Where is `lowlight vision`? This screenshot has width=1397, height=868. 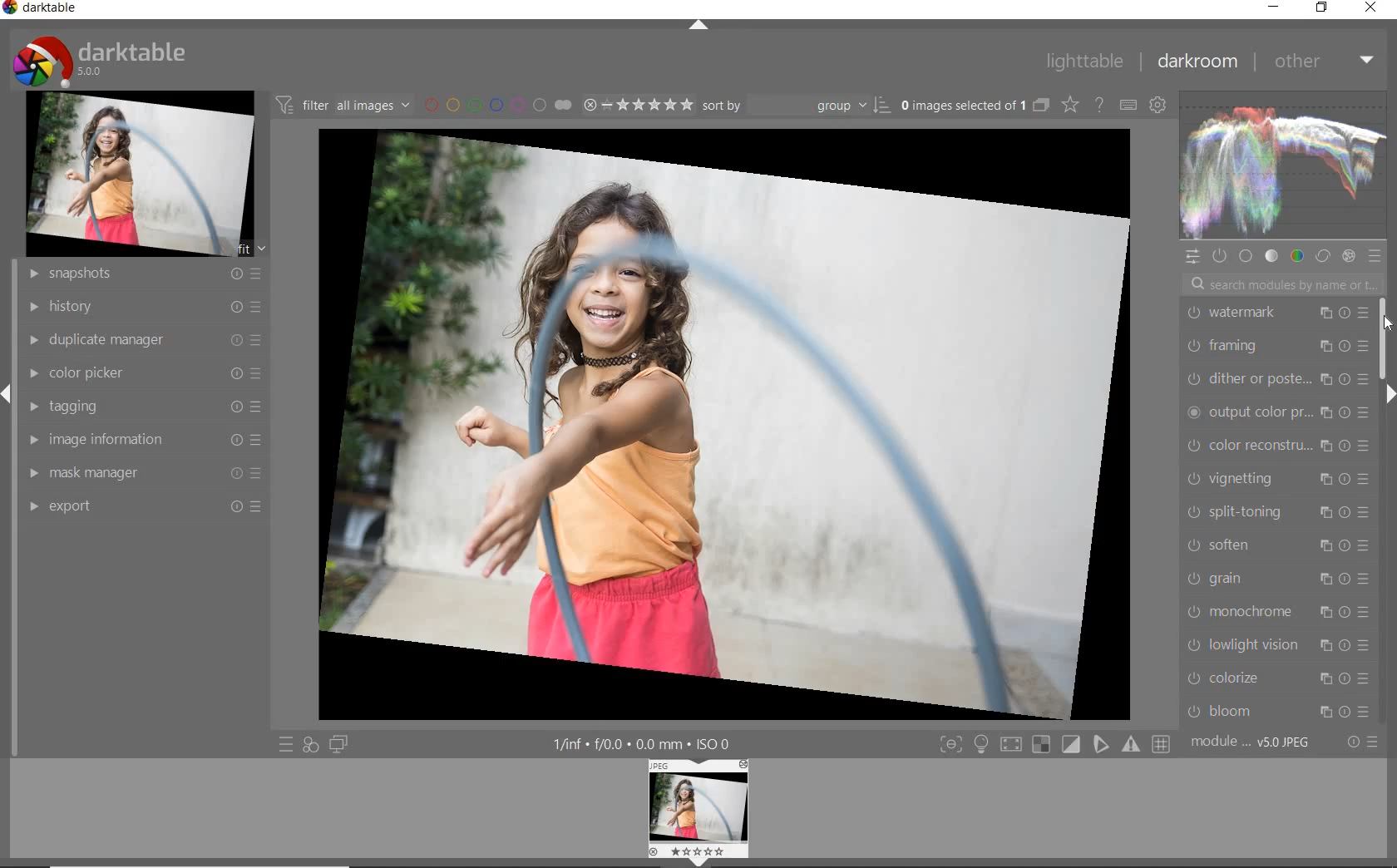 lowlight vision is located at coordinates (1279, 644).